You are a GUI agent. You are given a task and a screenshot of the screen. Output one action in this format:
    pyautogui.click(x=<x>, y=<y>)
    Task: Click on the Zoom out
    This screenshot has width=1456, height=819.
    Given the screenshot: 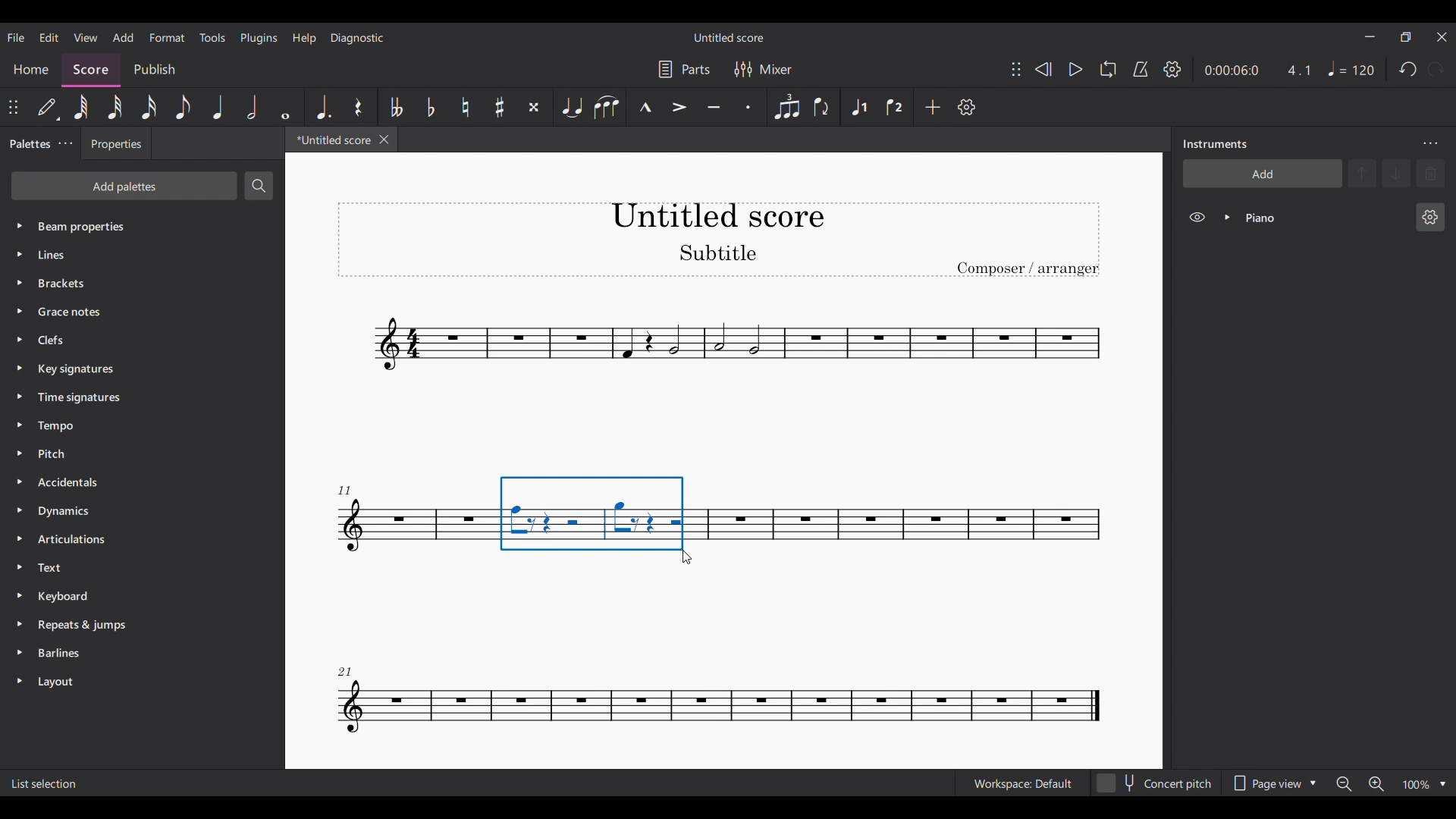 What is the action you would take?
    pyautogui.click(x=1345, y=784)
    